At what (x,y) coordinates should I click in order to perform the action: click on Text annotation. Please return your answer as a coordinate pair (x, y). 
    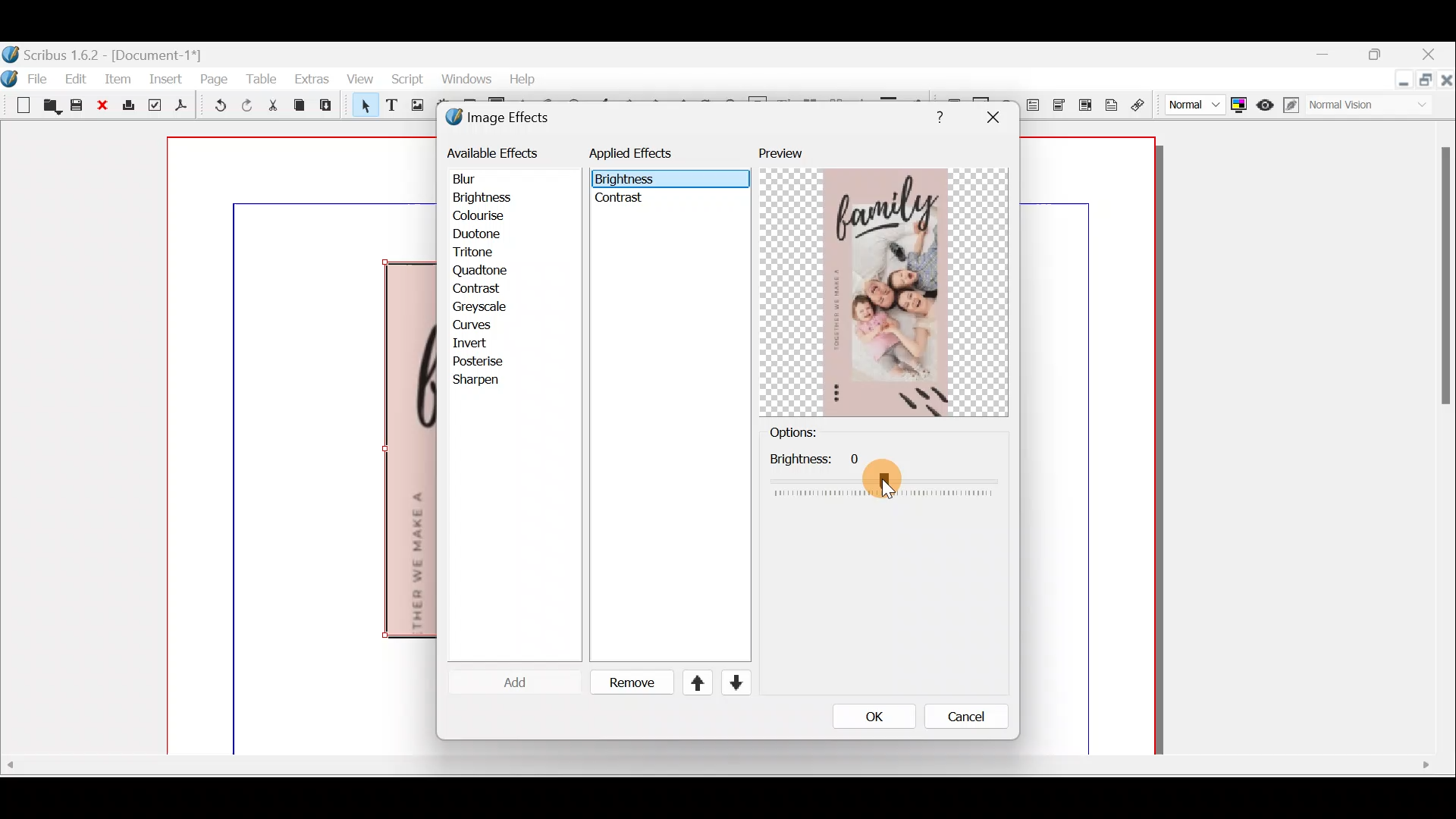
    Looking at the image, I should click on (1109, 103).